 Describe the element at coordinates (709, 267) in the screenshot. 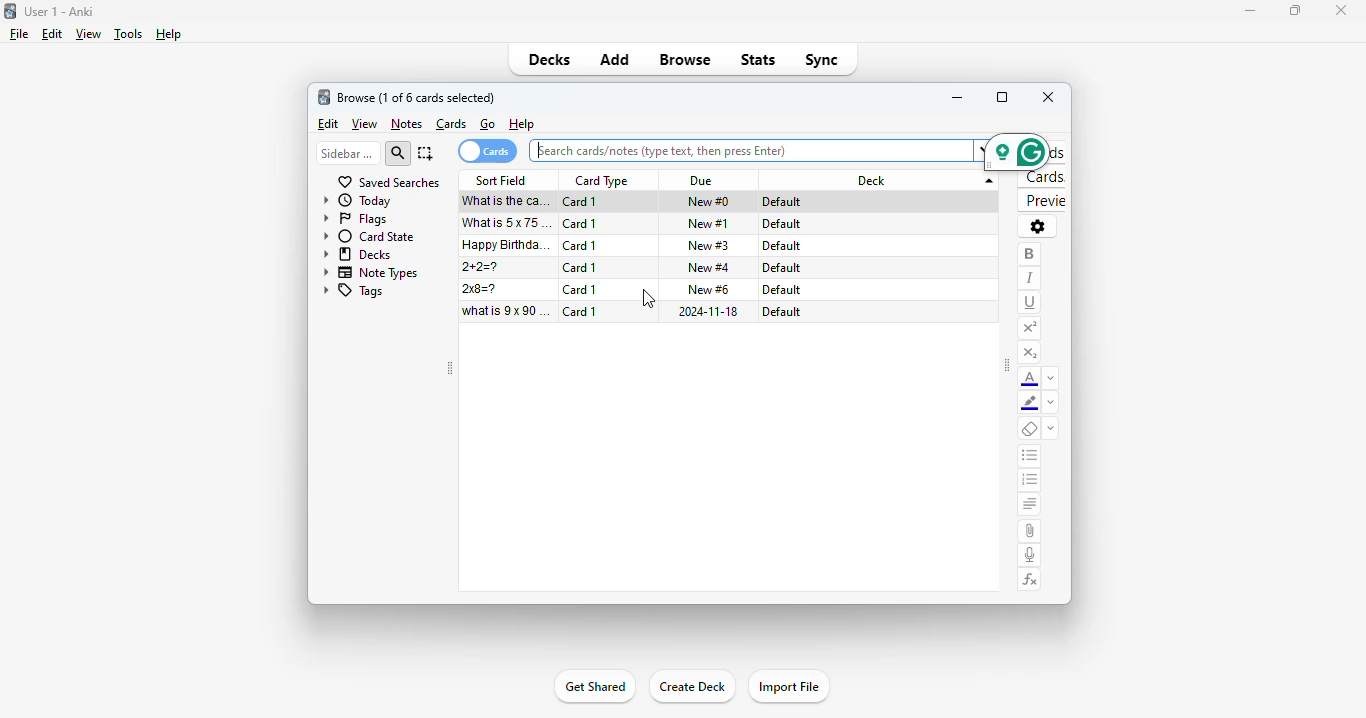

I see `new #4` at that location.